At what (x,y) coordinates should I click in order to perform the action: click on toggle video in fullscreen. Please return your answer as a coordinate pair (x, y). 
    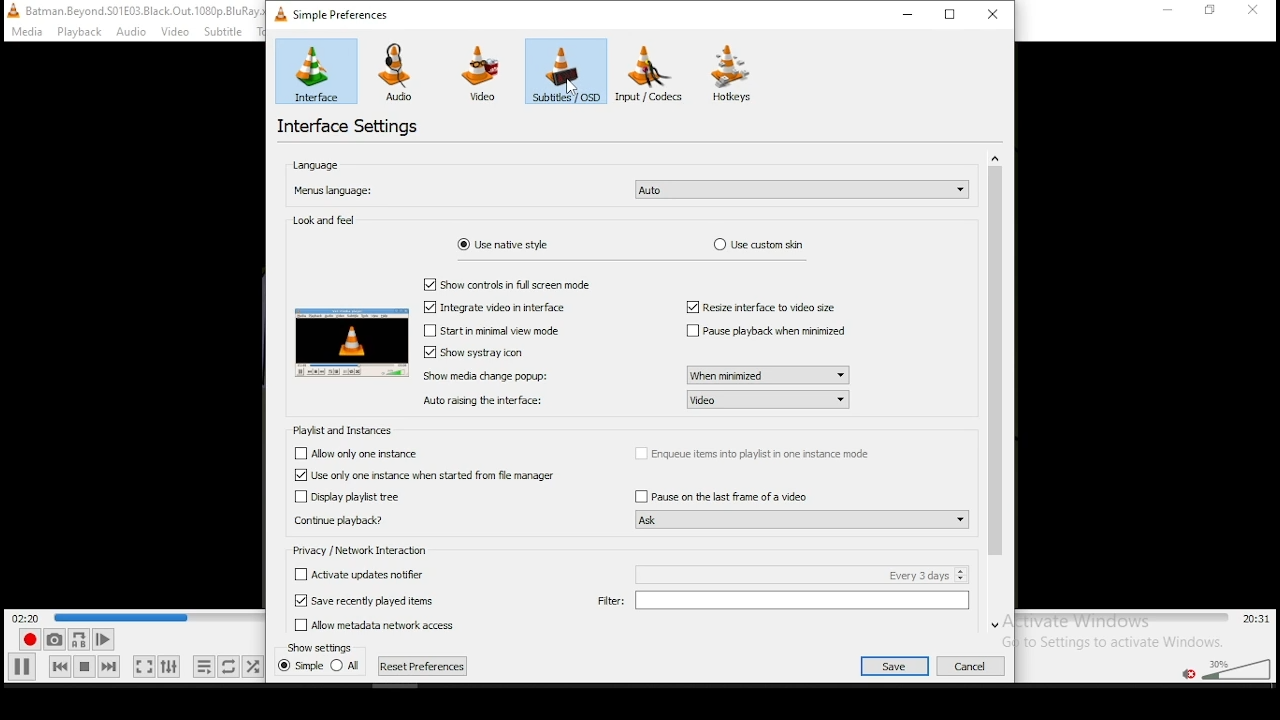
    Looking at the image, I should click on (143, 666).